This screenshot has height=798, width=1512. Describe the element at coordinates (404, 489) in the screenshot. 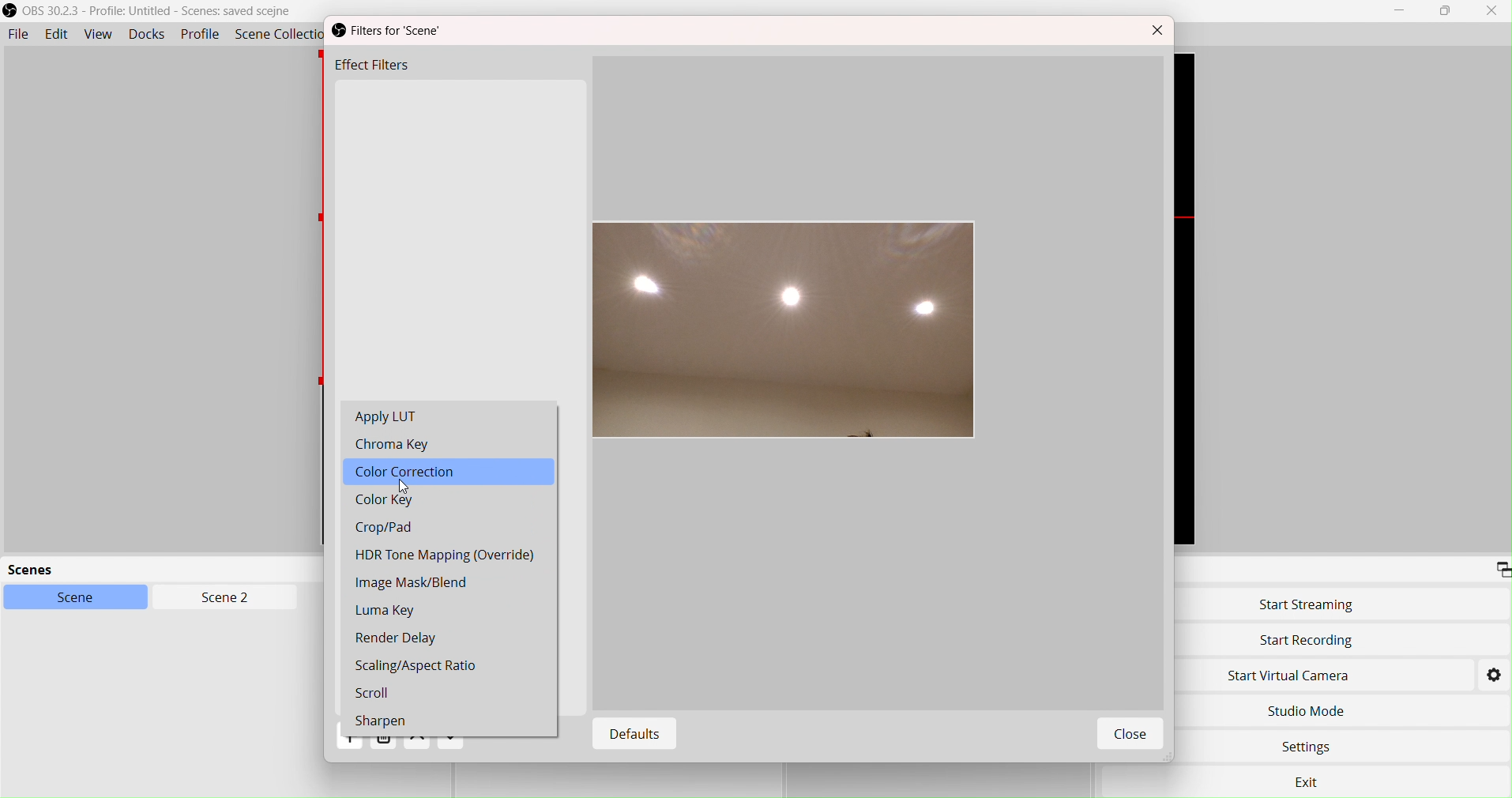

I see `cursor` at that location.